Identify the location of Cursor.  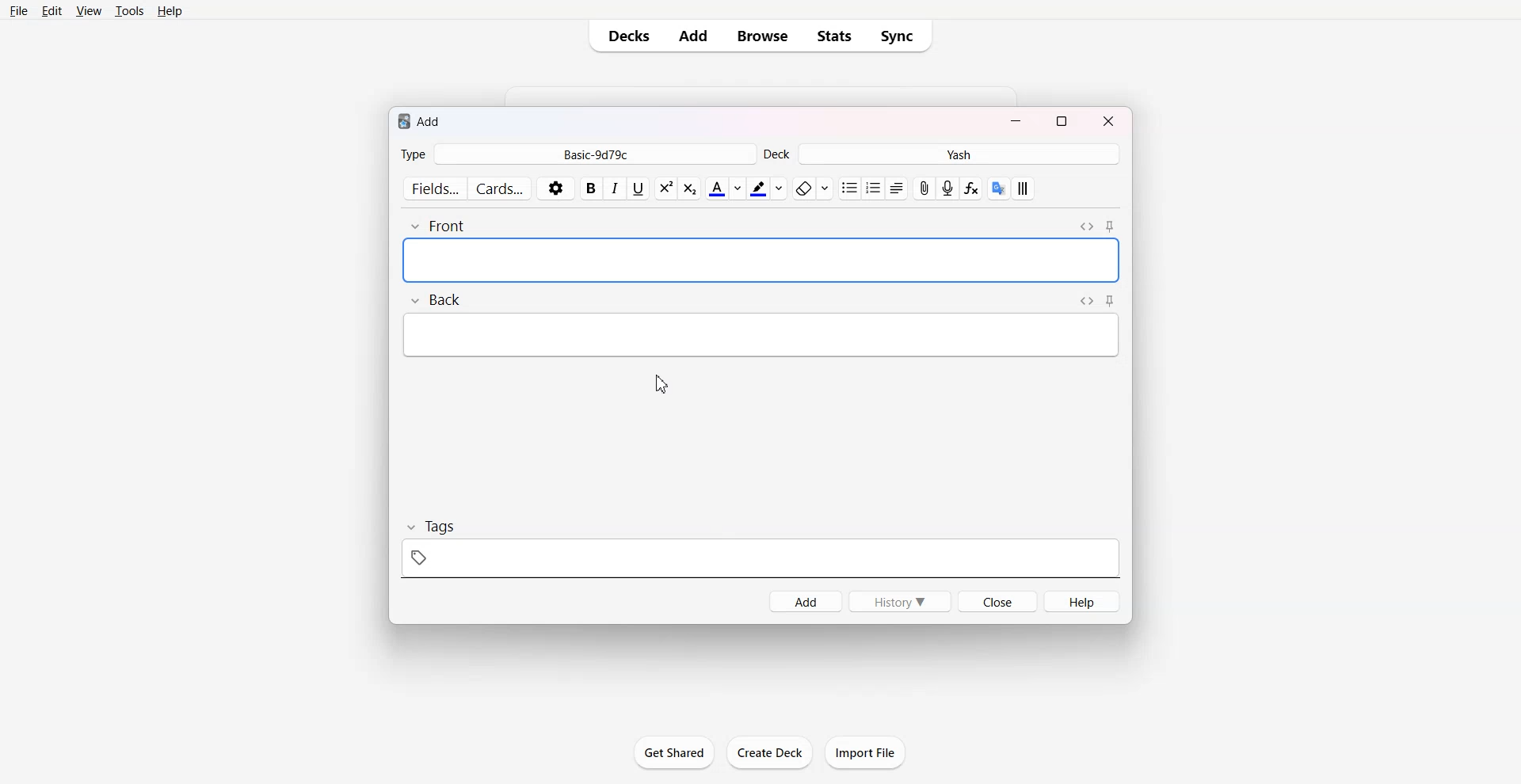
(661, 384).